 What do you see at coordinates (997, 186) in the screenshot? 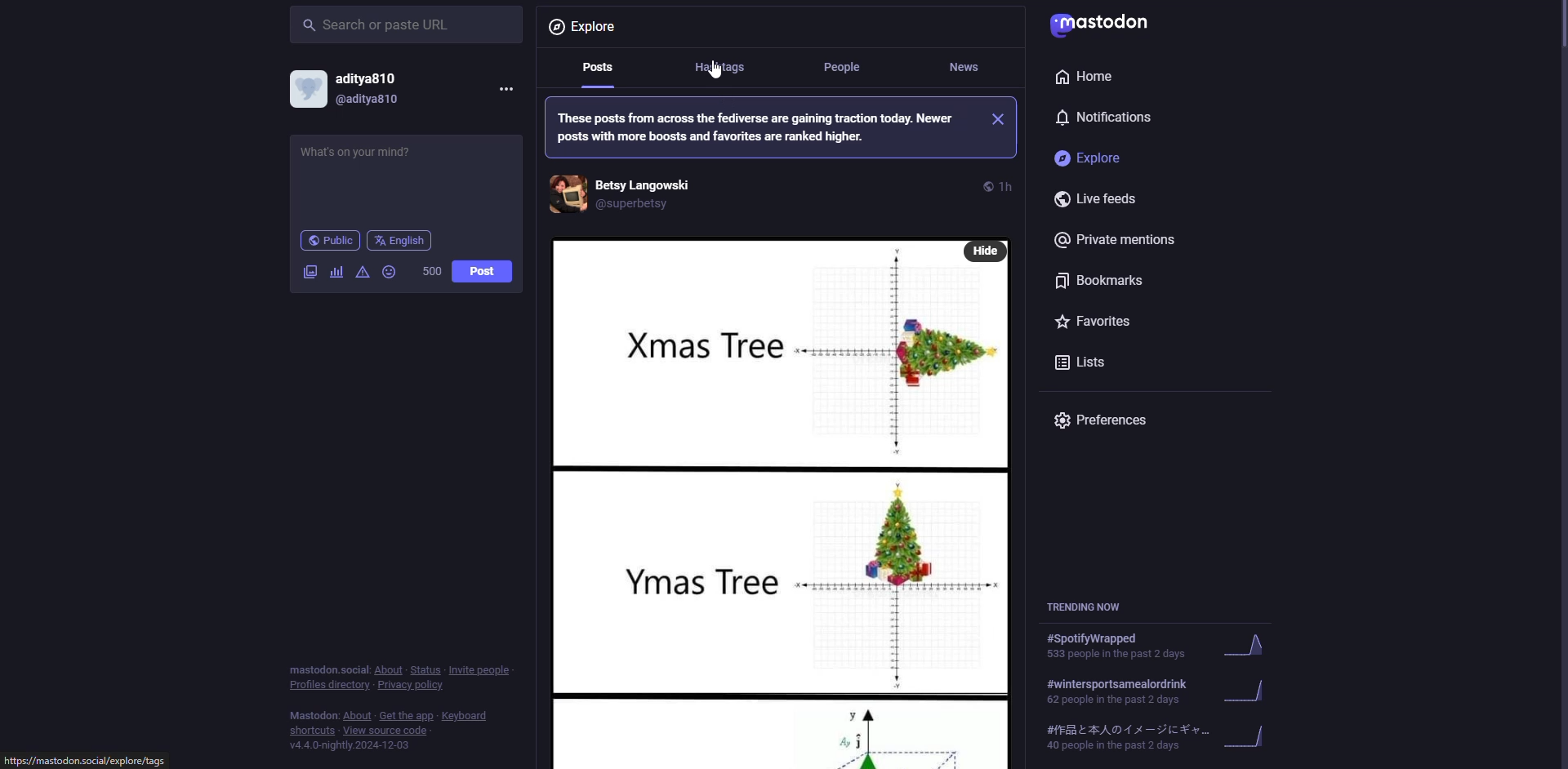
I see `time` at bounding box center [997, 186].